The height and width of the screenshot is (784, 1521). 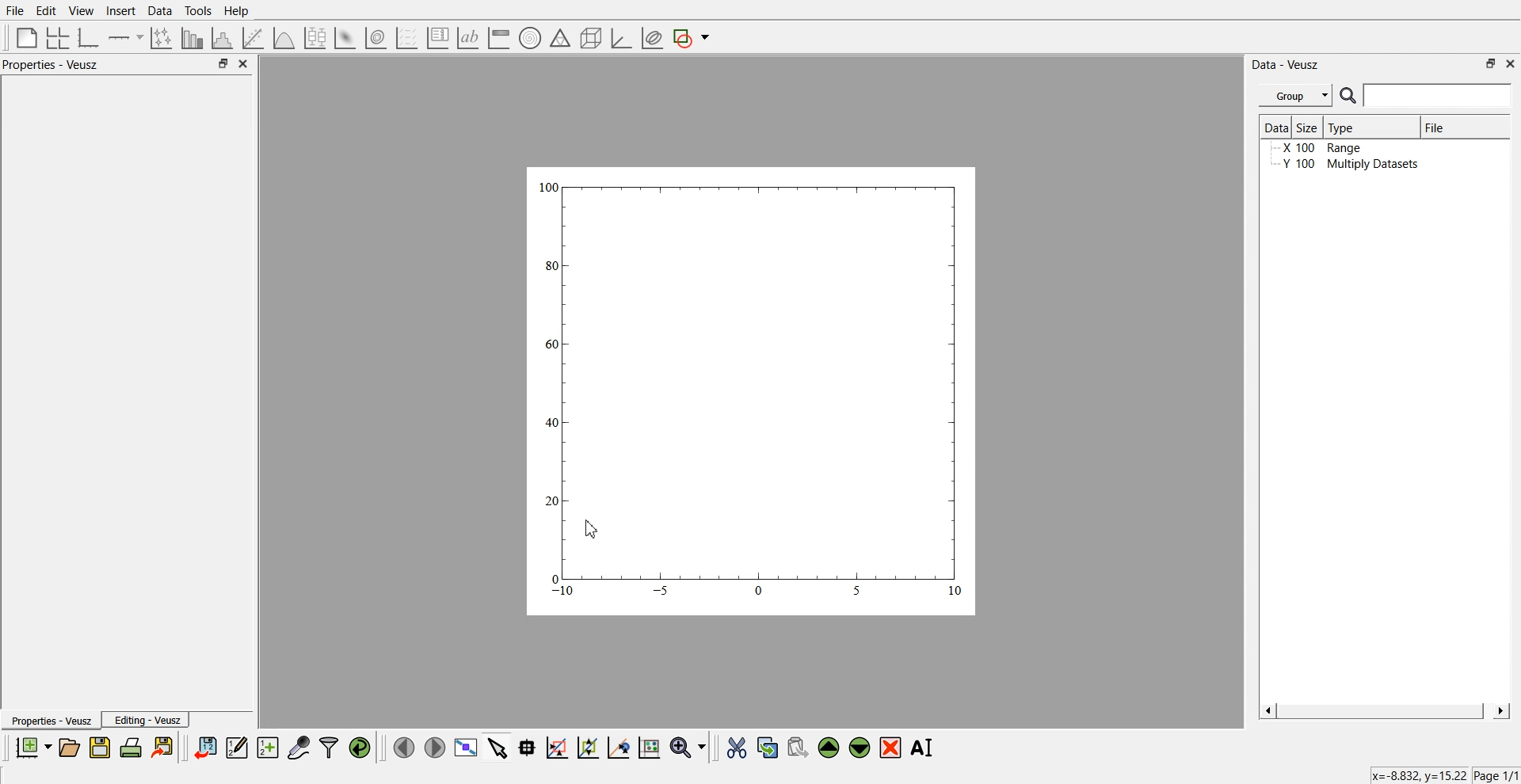 I want to click on Insert, so click(x=119, y=11).